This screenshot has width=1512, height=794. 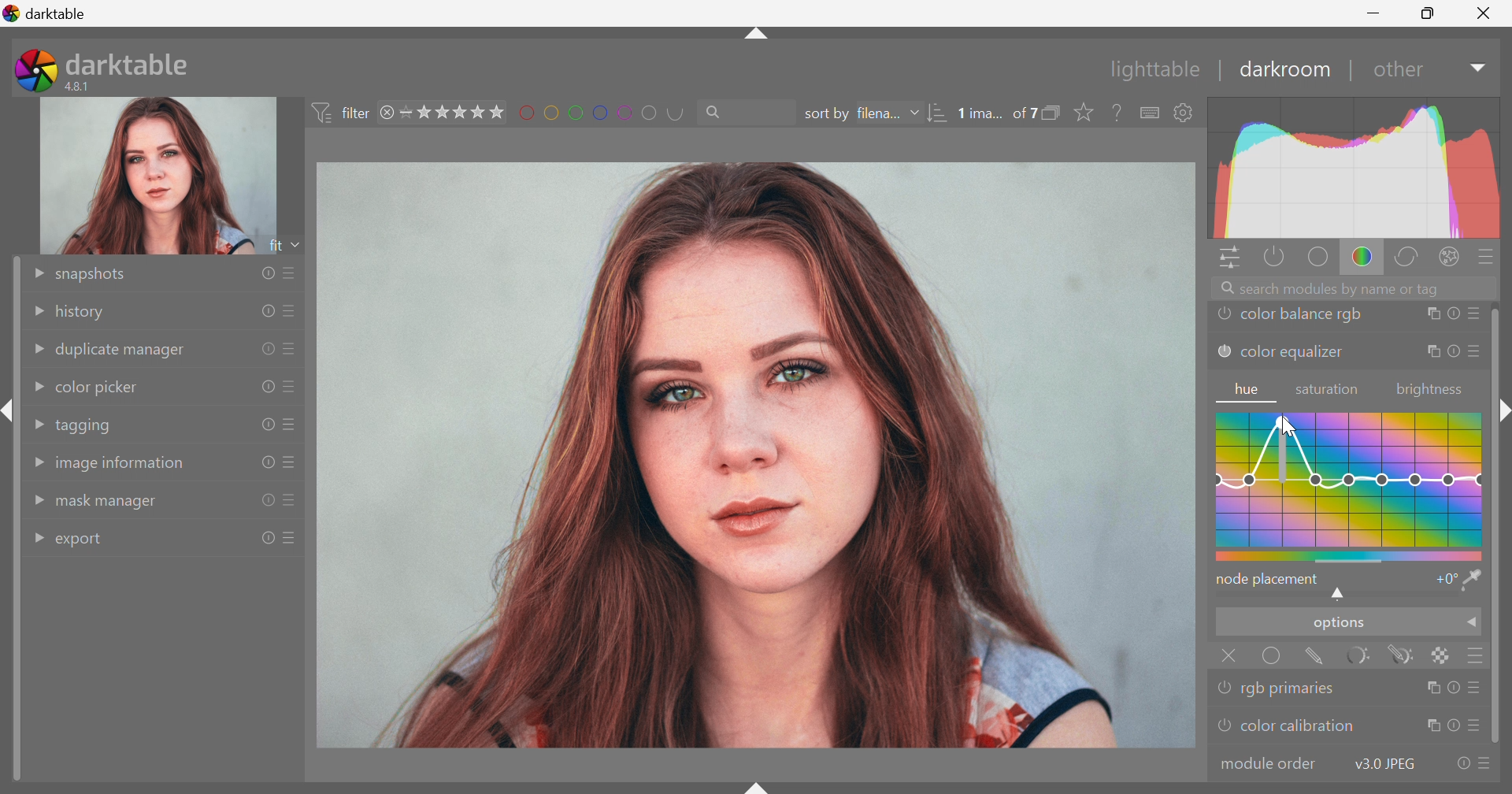 What do you see at coordinates (1473, 352) in the screenshot?
I see `presets` at bounding box center [1473, 352].